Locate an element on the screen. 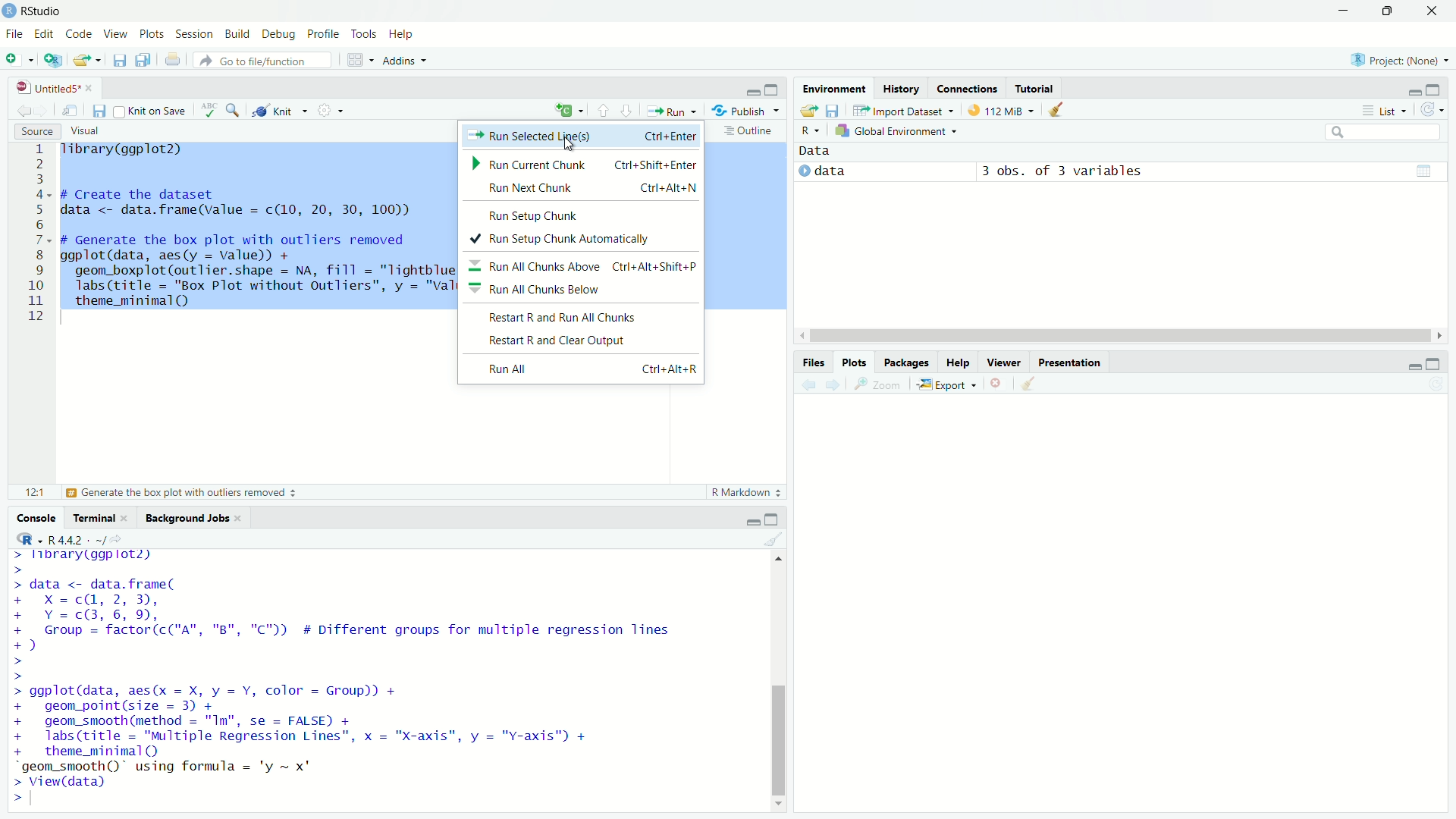  + Addins ~ is located at coordinates (400, 59).